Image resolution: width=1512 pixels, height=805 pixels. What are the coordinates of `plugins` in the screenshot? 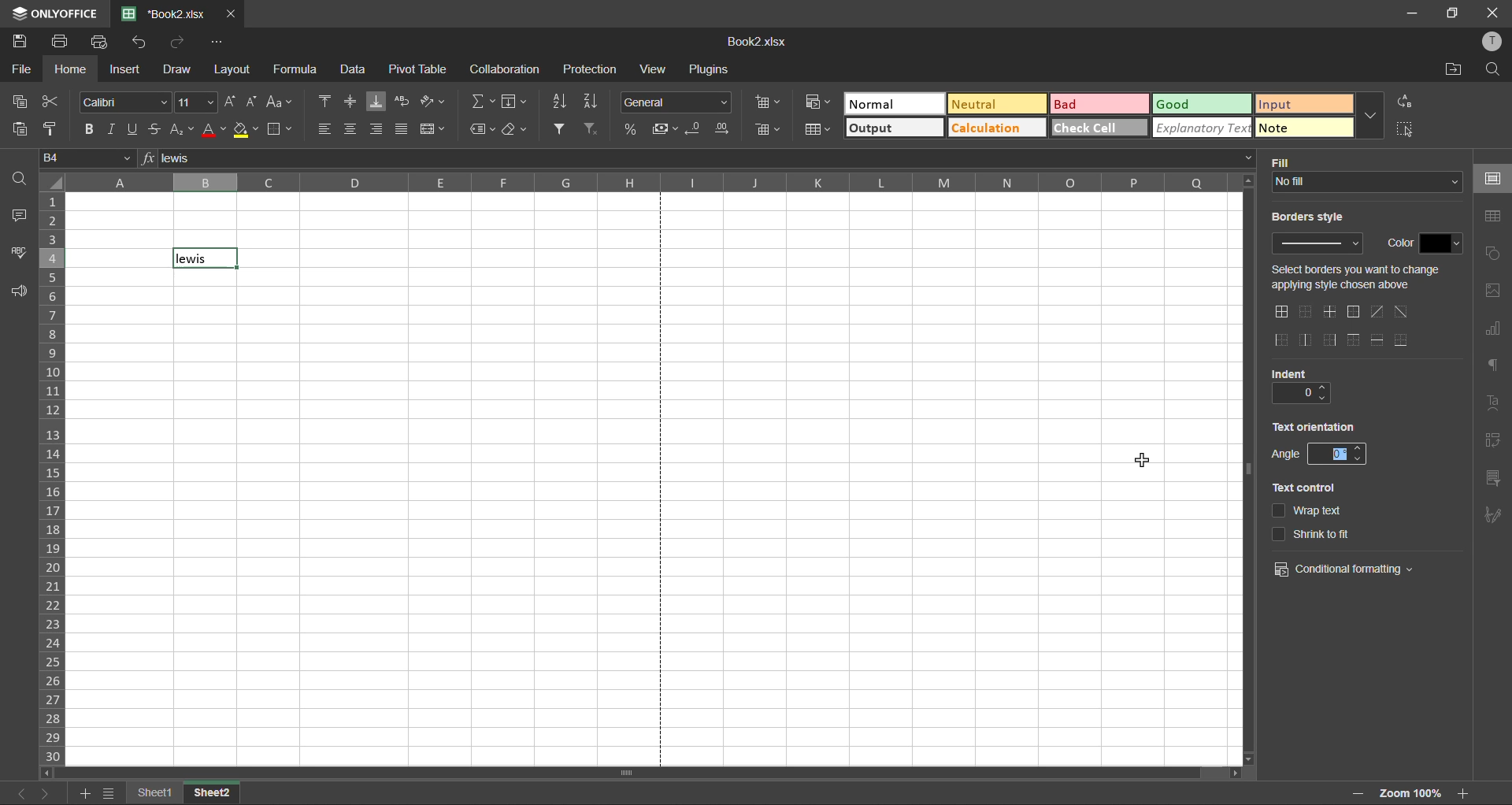 It's located at (711, 69).